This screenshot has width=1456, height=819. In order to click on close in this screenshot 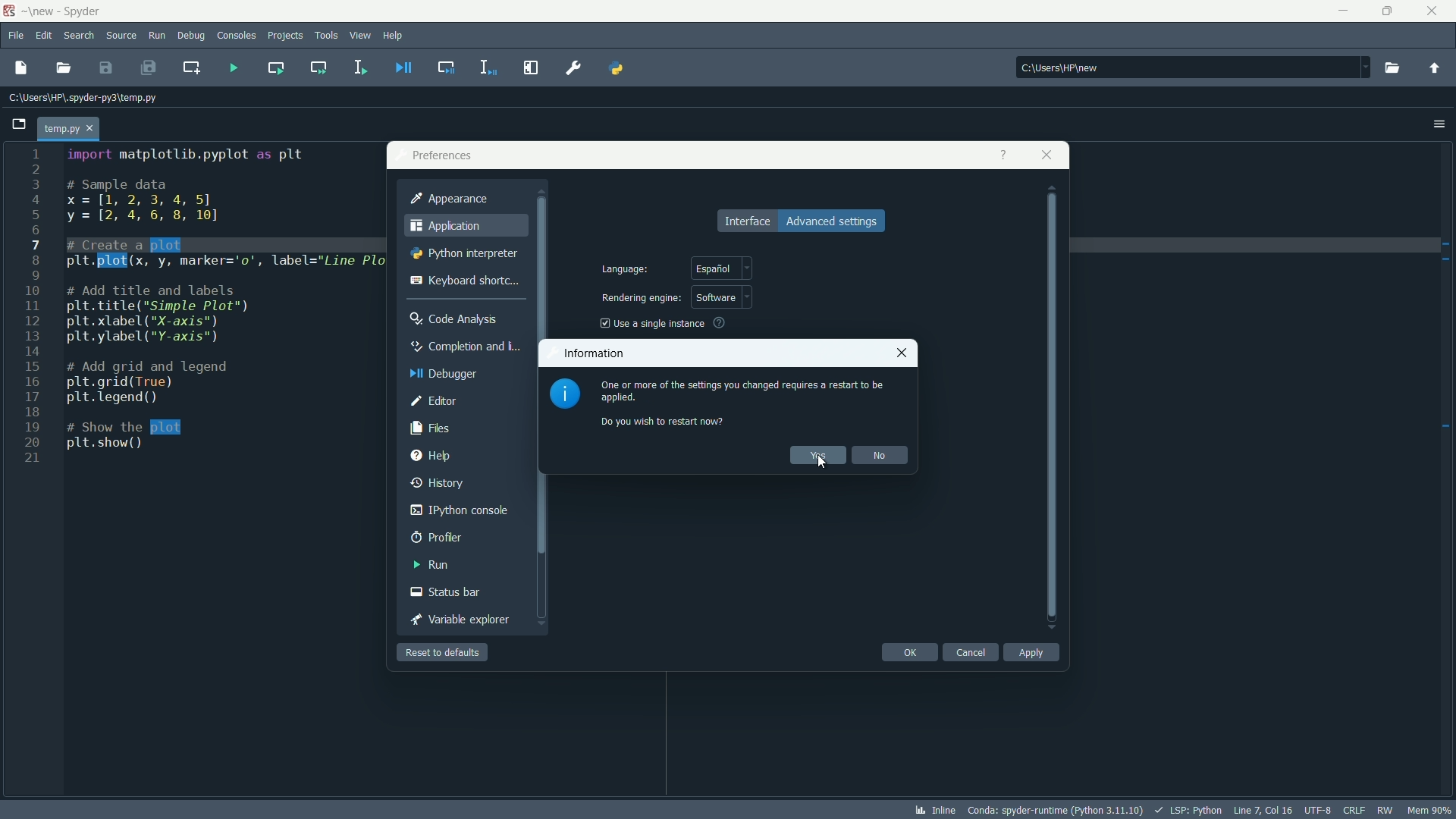, I will do `click(902, 353)`.